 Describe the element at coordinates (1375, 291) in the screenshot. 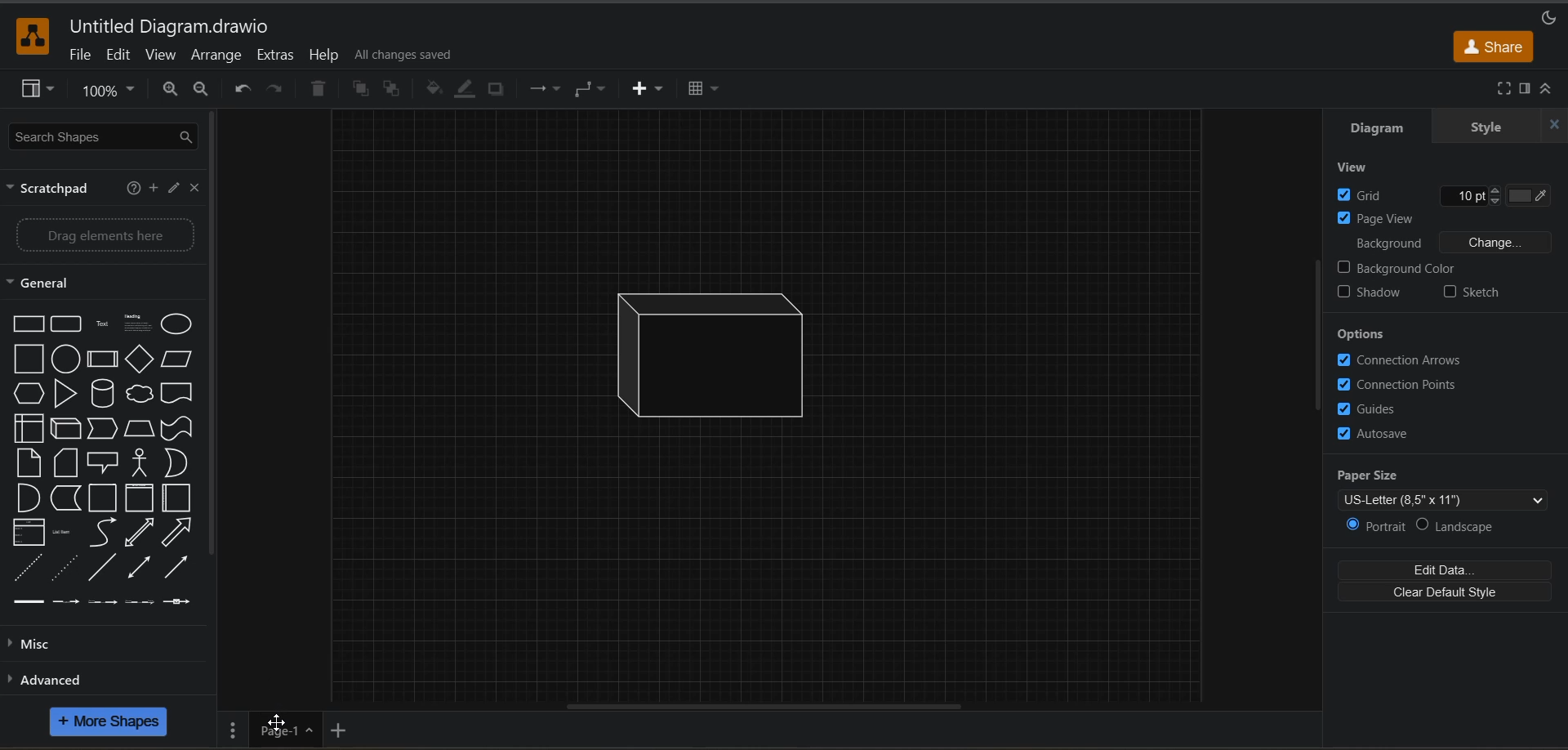

I see `shadow` at that location.